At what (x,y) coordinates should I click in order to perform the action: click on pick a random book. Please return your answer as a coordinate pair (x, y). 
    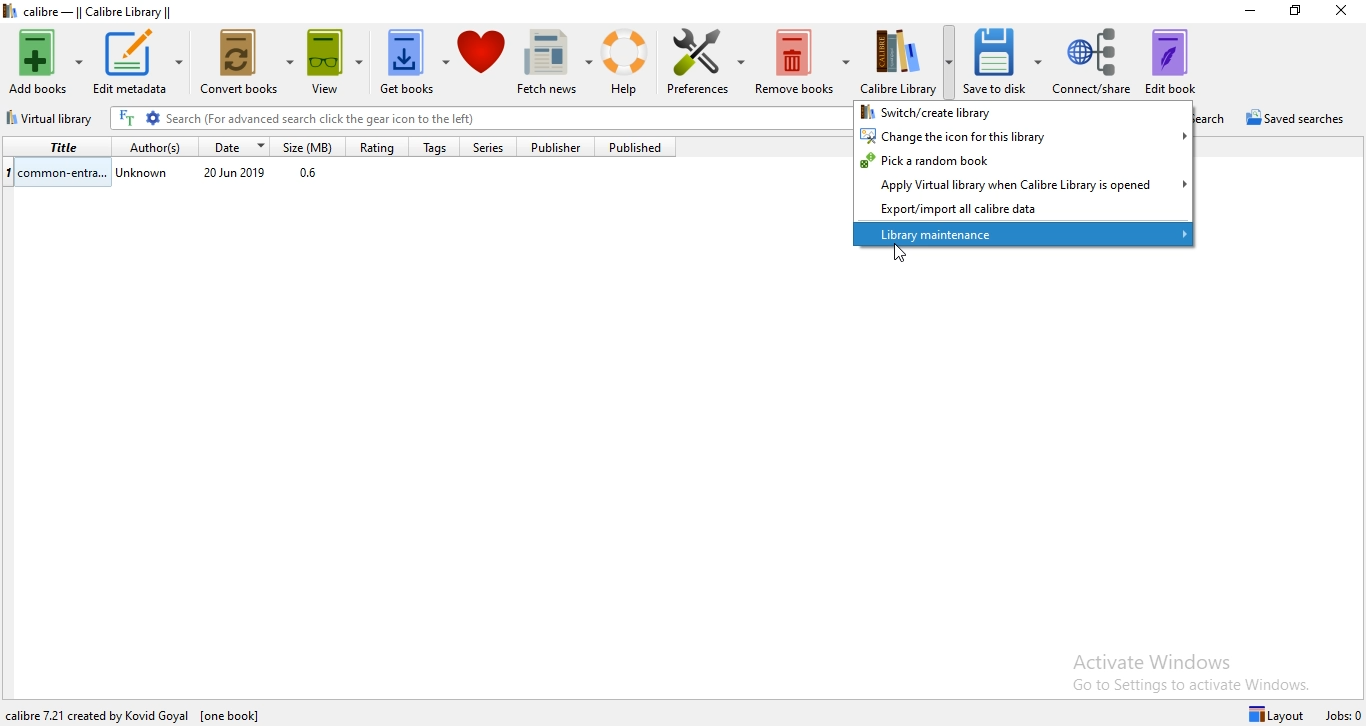
    Looking at the image, I should click on (1024, 161).